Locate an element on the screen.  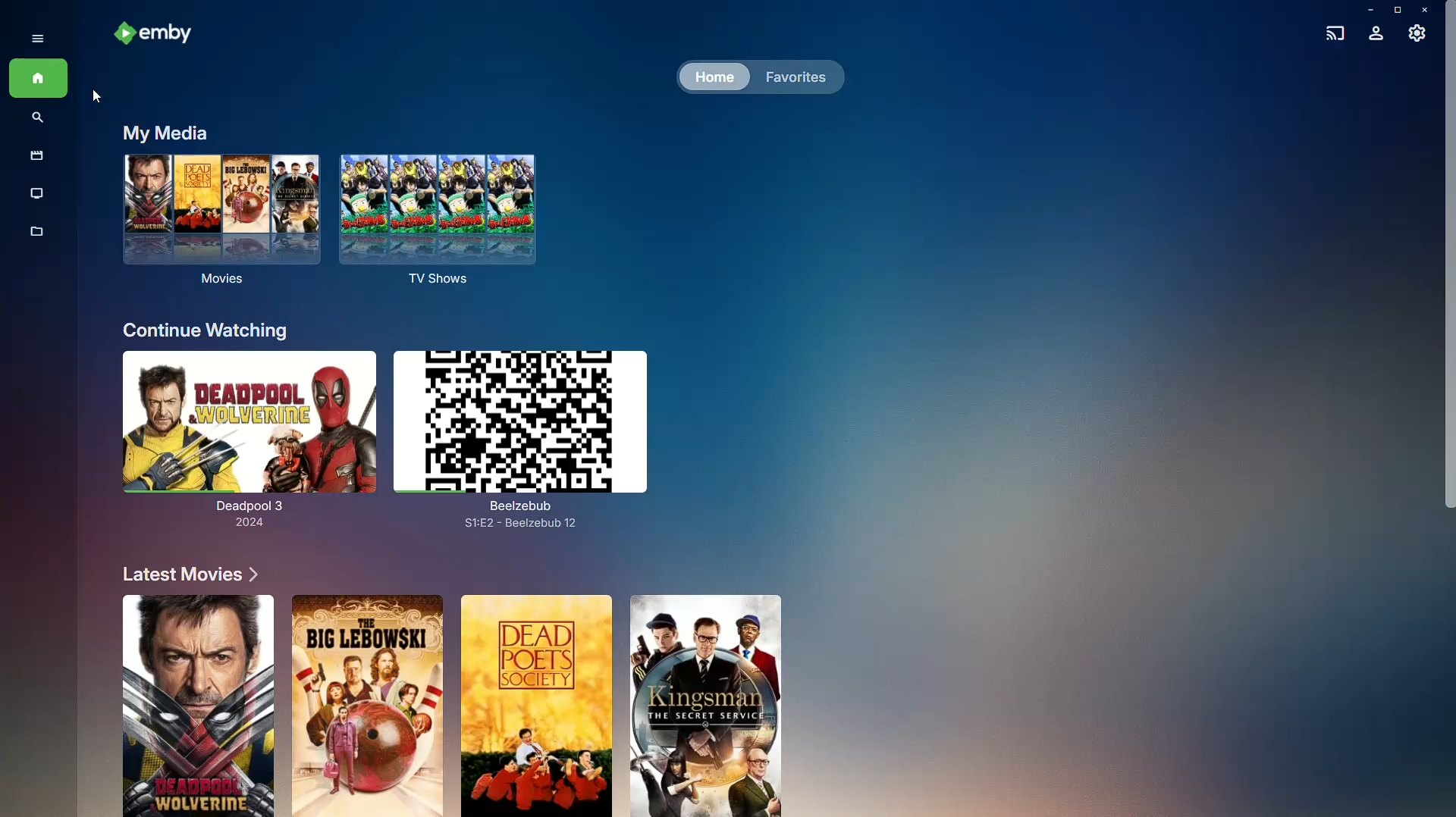
Find is located at coordinates (38, 119).